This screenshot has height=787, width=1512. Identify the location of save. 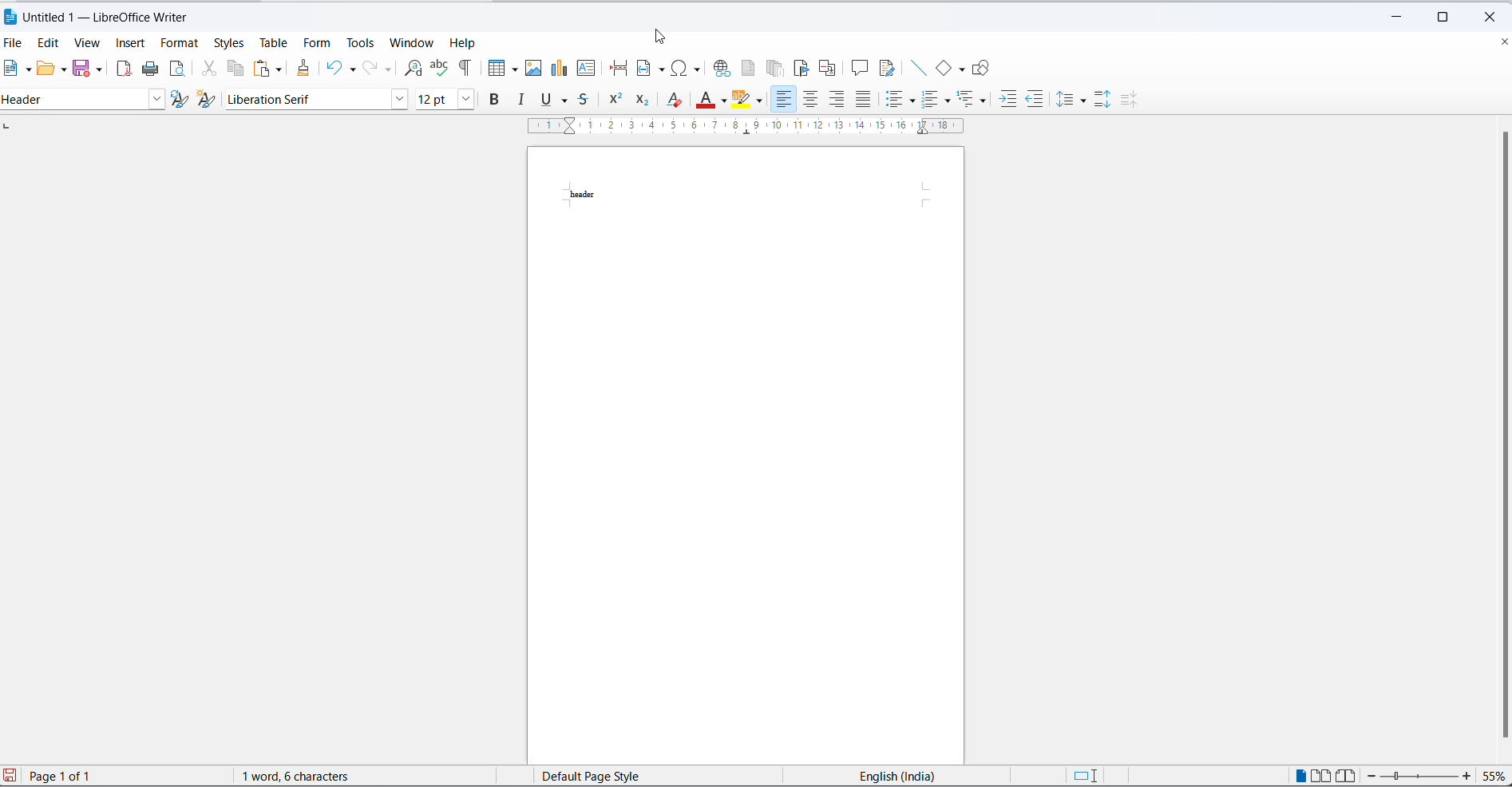
(80, 68).